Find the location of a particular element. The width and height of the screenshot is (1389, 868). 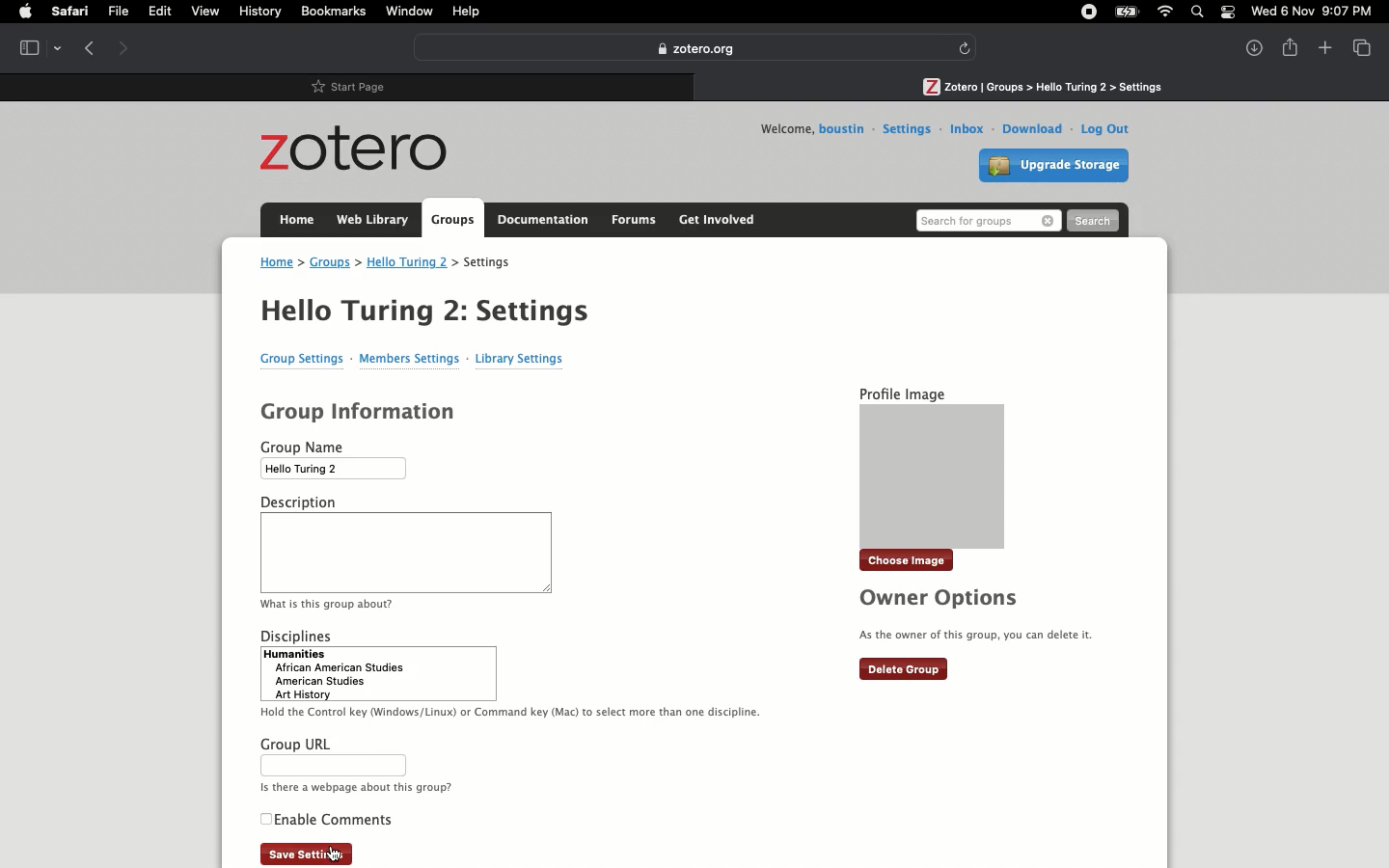

Apple logo is located at coordinates (24, 13).